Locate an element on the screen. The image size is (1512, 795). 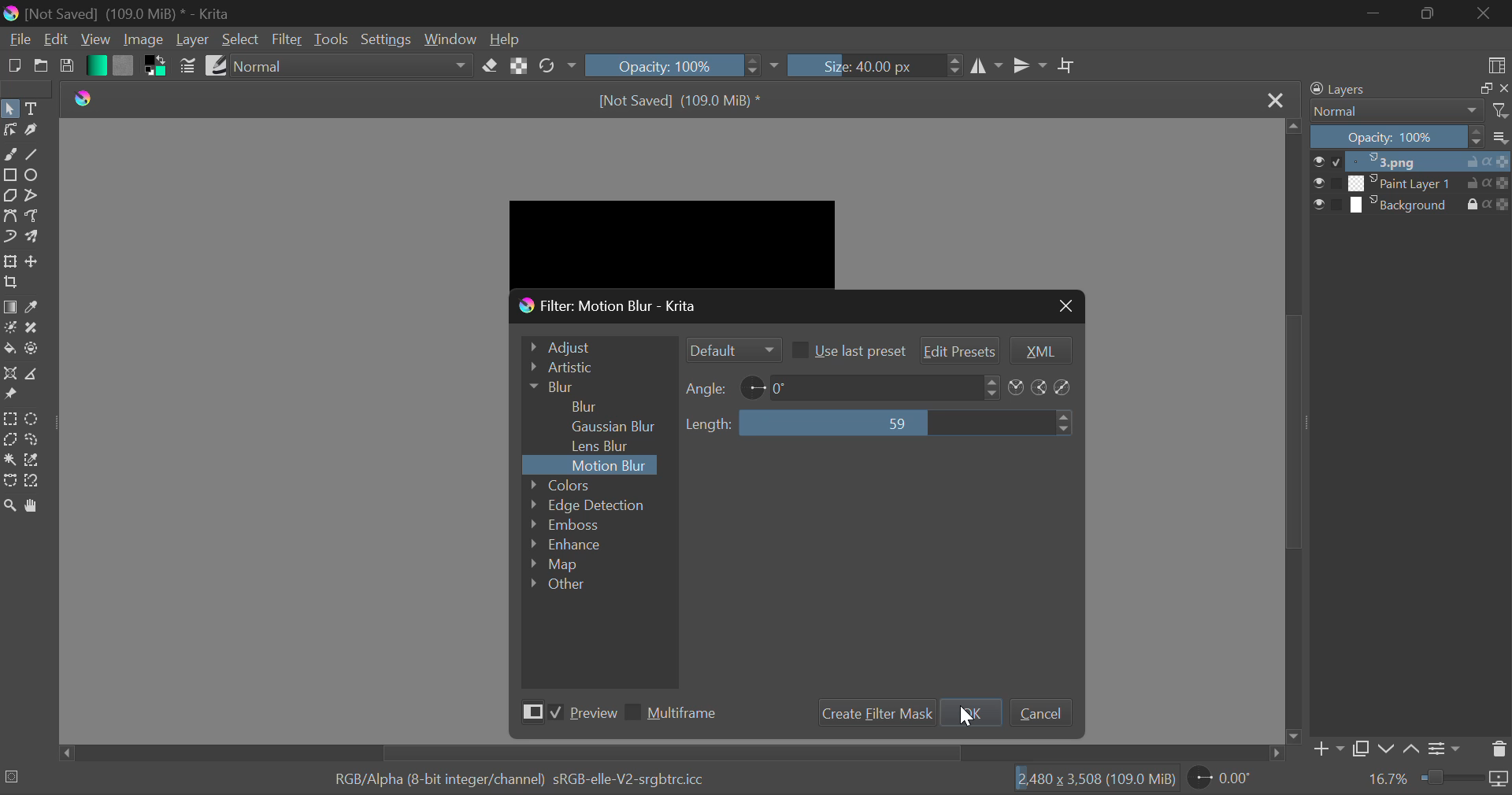
Filter is located at coordinates (287, 40).